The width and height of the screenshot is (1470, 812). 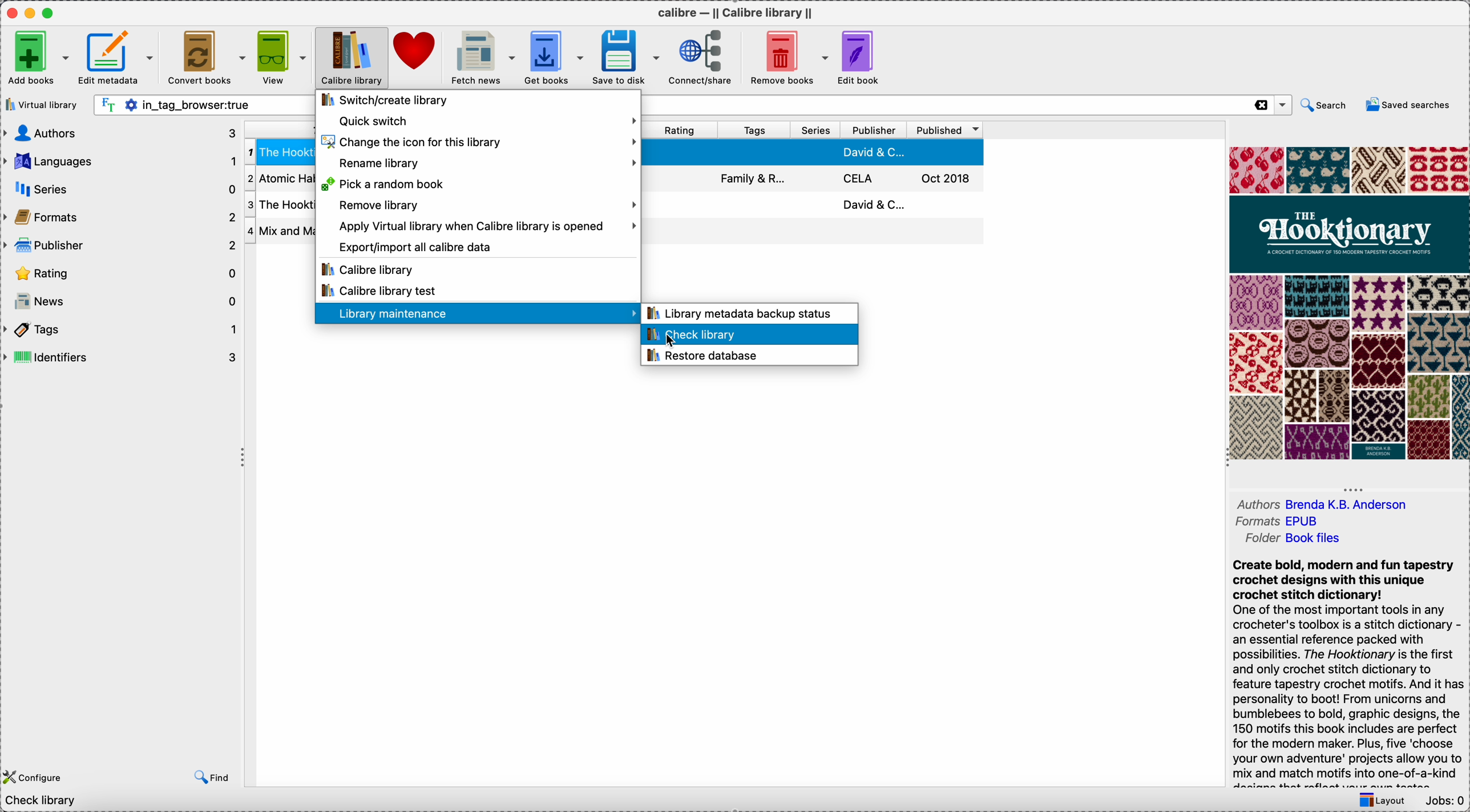 I want to click on connect/share, so click(x=701, y=58).